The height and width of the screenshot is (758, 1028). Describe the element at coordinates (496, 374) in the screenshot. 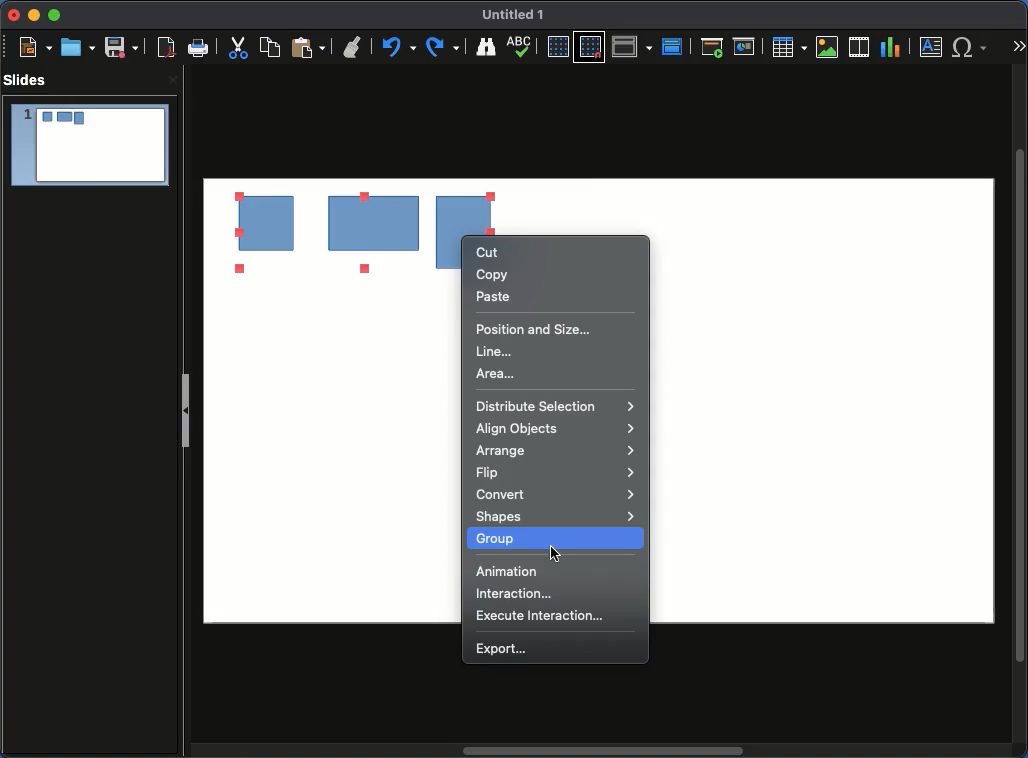

I see `Area` at that location.